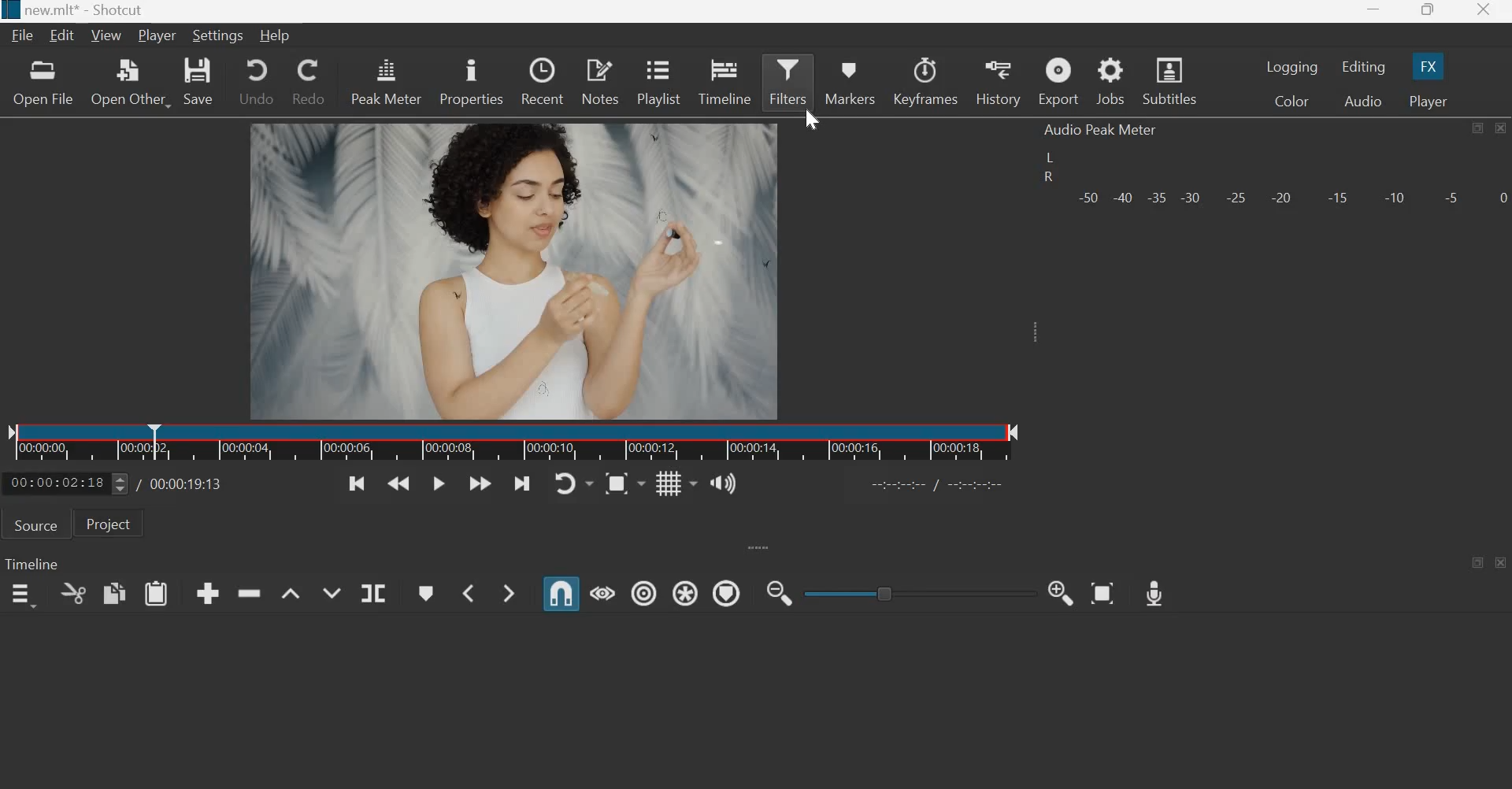 The image size is (1512, 789). What do you see at coordinates (1063, 593) in the screenshot?
I see `Zoom Timeline in` at bounding box center [1063, 593].